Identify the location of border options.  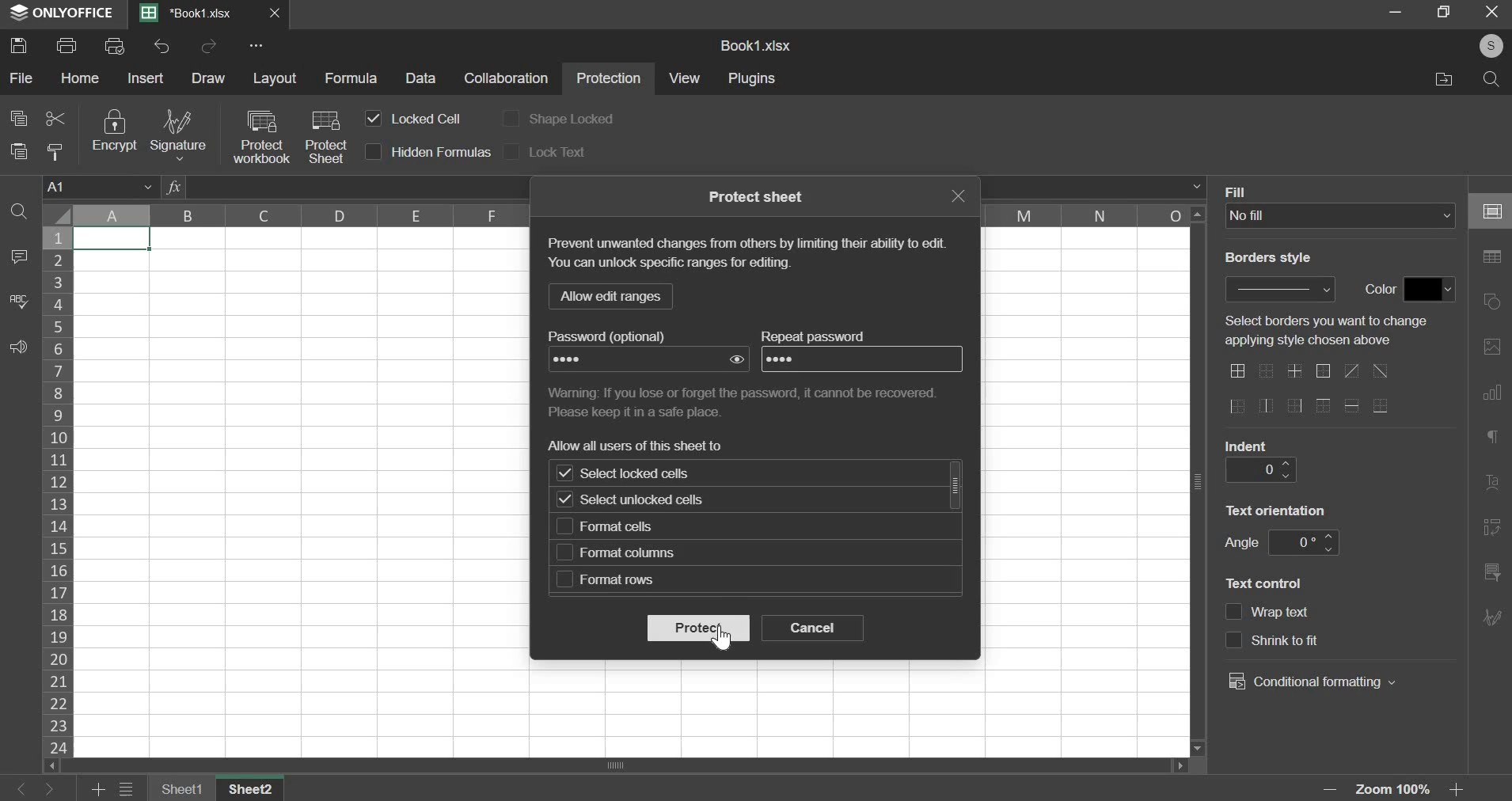
(1351, 370).